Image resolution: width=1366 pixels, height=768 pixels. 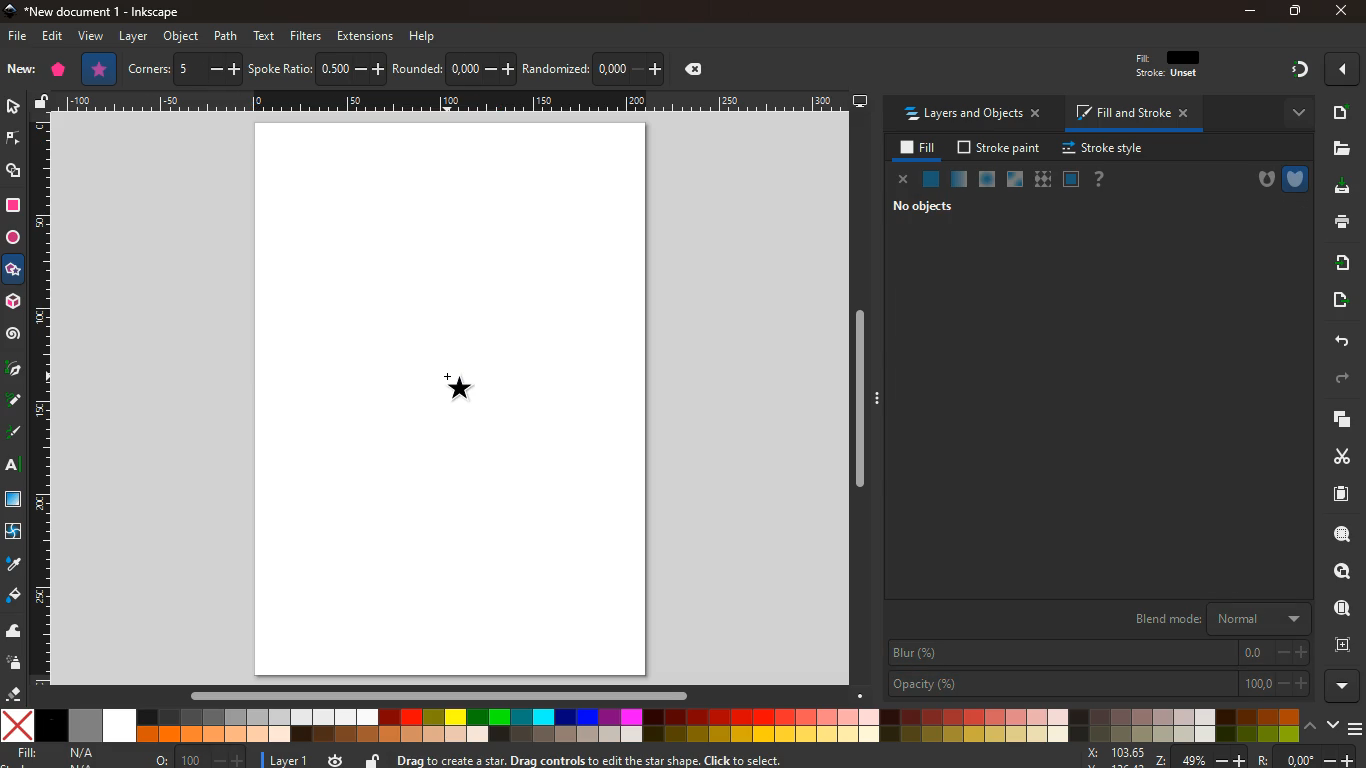 What do you see at coordinates (1289, 70) in the screenshot?
I see `gradient` at bounding box center [1289, 70].